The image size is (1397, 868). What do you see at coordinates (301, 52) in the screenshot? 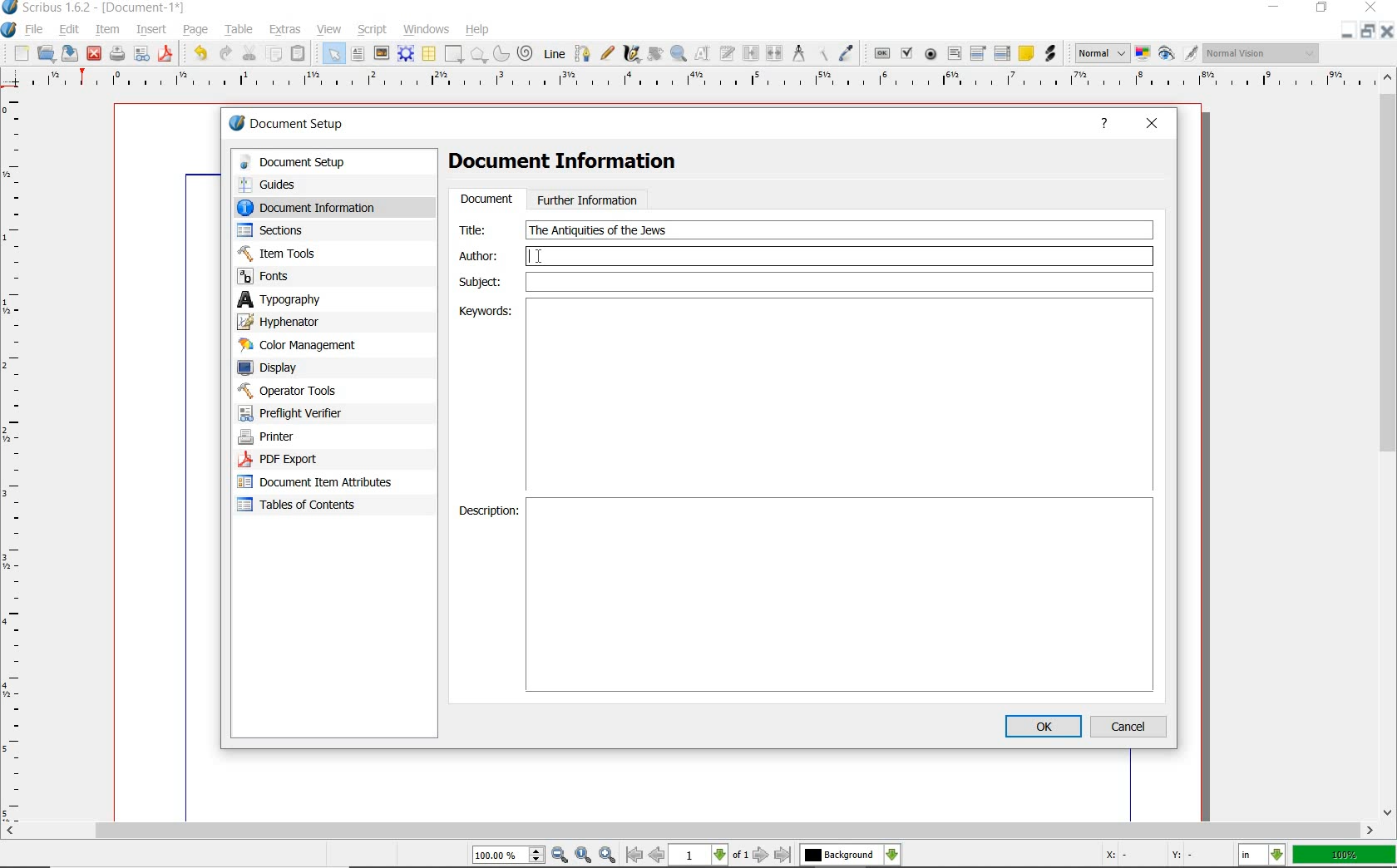
I see `paste` at bounding box center [301, 52].